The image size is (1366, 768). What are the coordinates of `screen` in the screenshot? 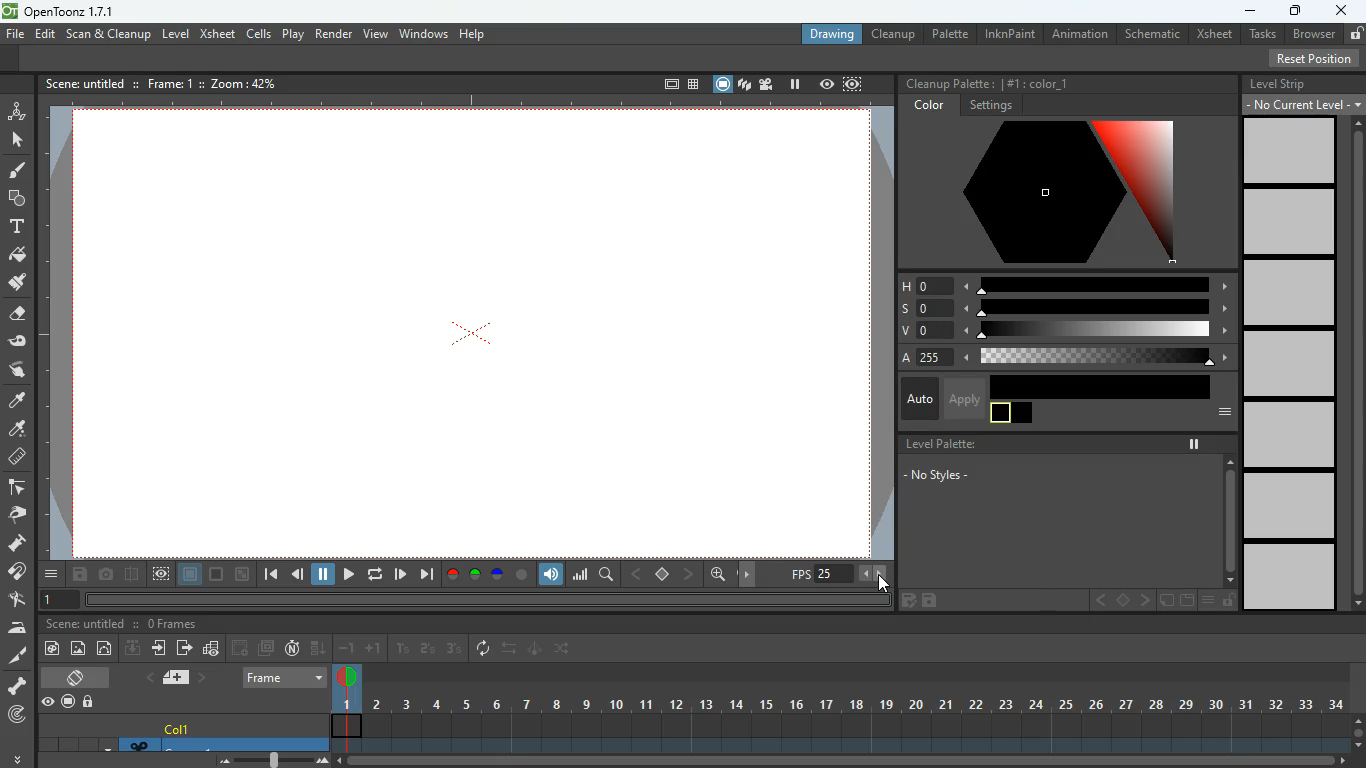 It's located at (721, 84).